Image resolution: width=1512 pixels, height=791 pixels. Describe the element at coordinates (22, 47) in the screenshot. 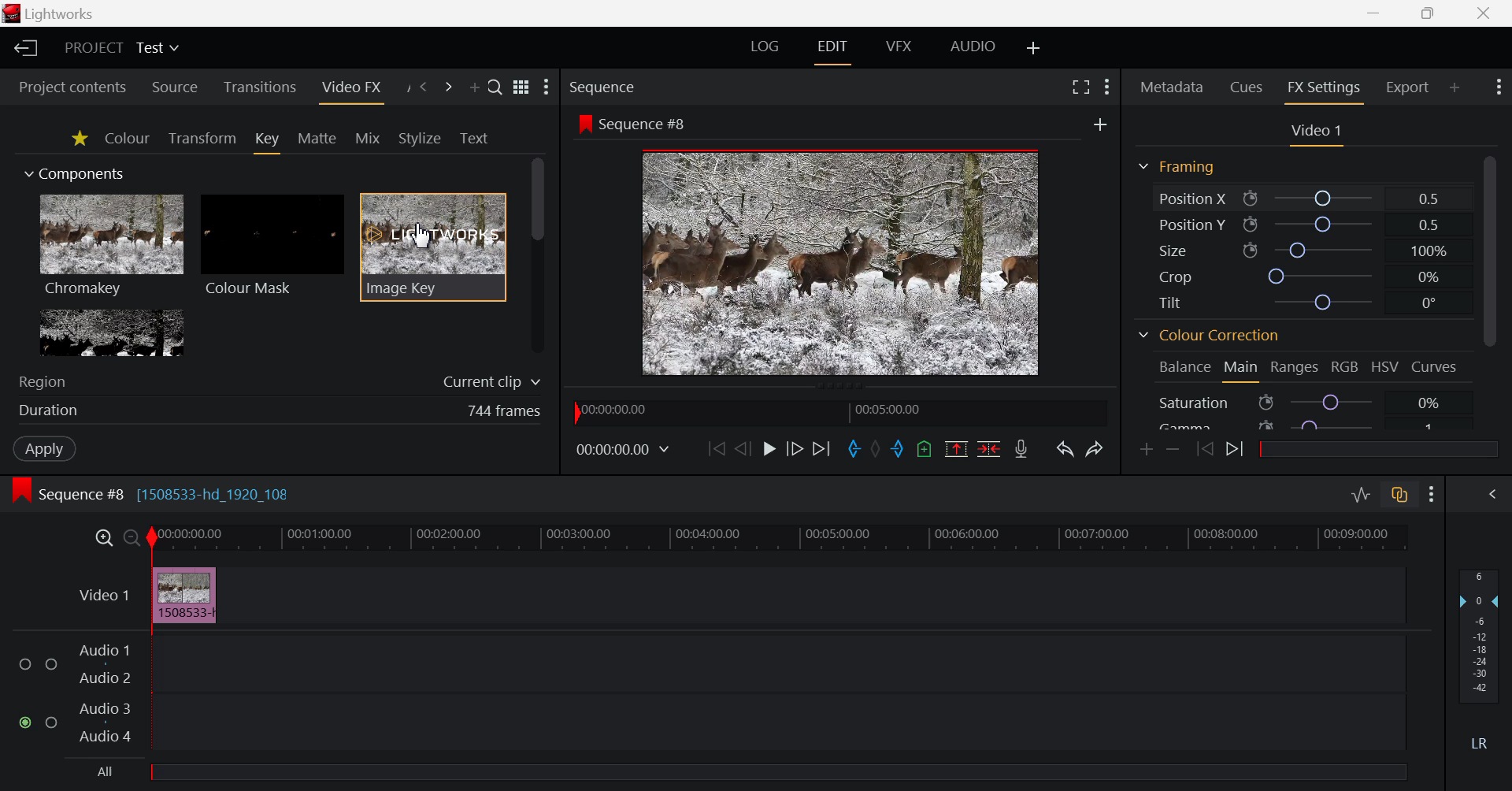

I see `Back to Homepage` at that location.